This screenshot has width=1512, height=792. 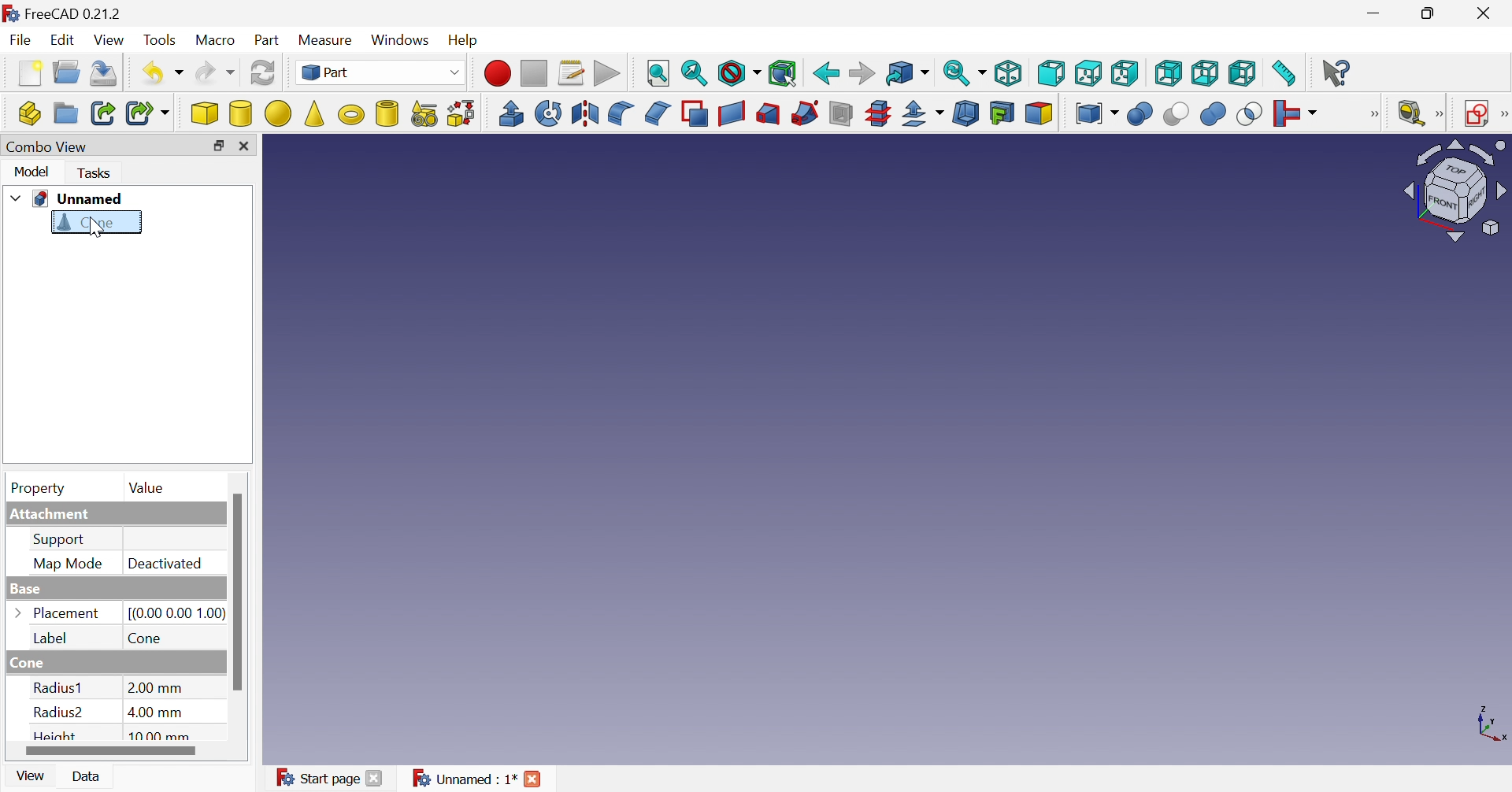 I want to click on Torus, so click(x=349, y=114).